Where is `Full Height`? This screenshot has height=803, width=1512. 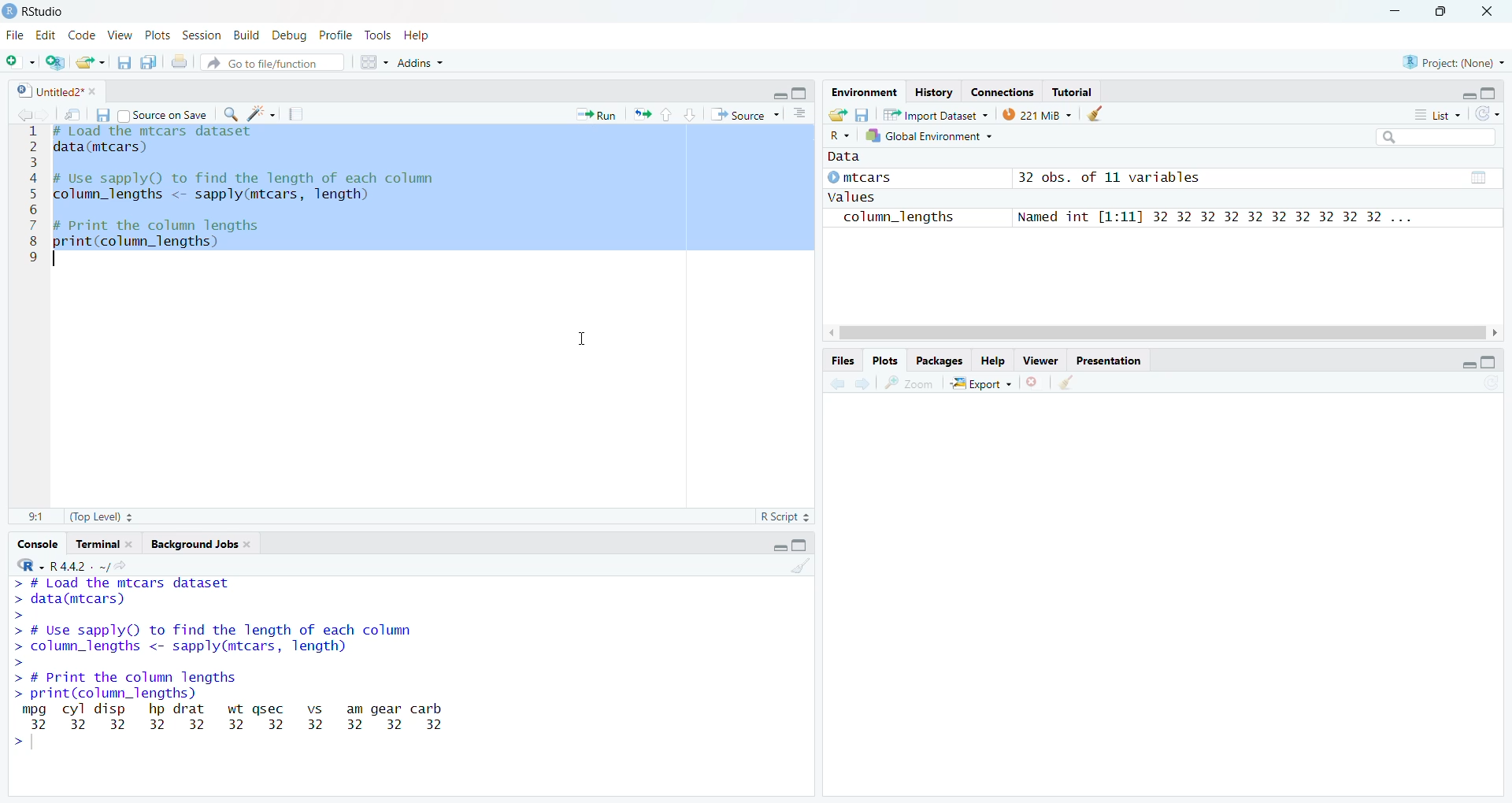 Full Height is located at coordinates (800, 544).